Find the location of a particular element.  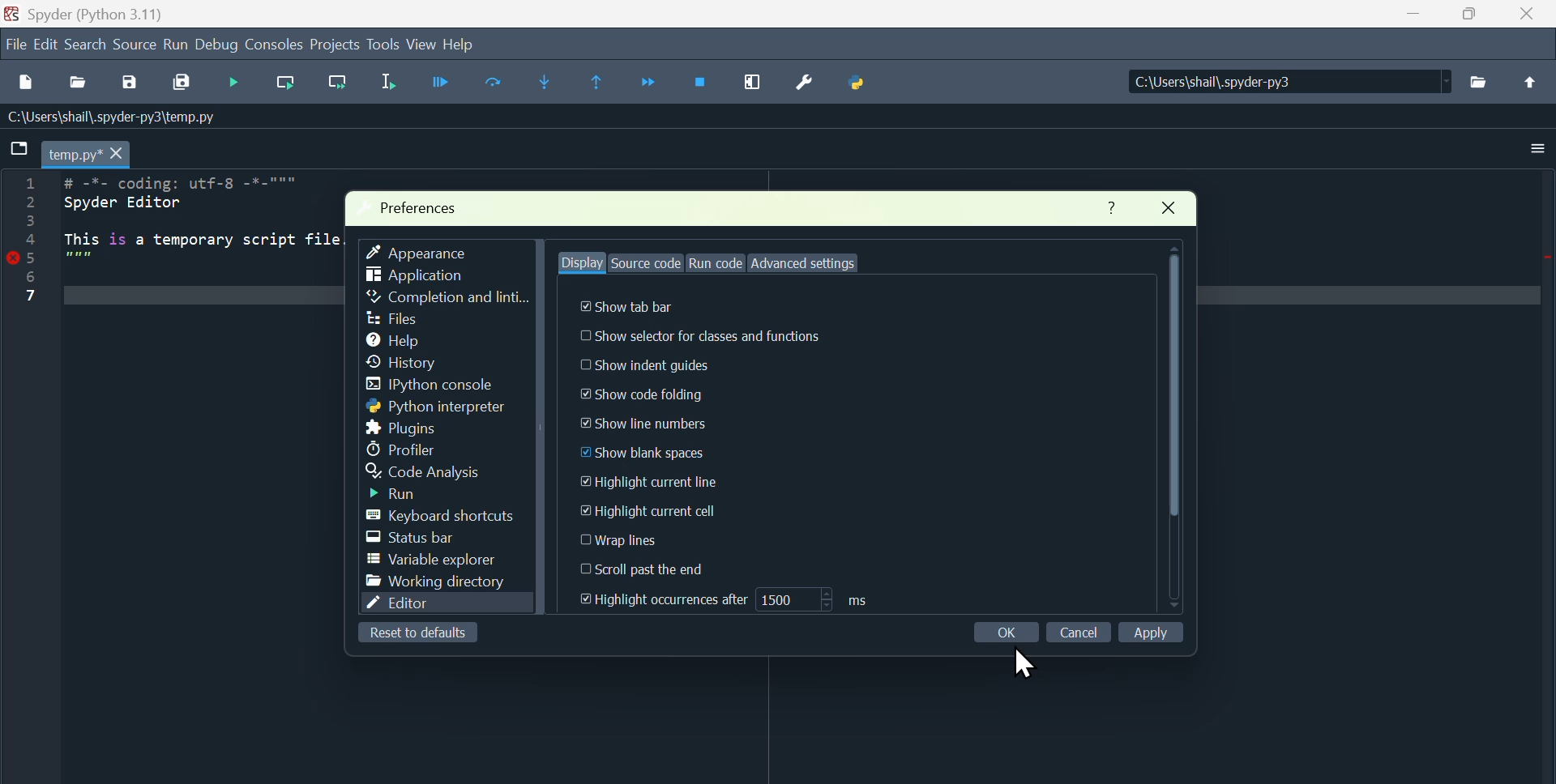

Source code is located at coordinates (646, 262).